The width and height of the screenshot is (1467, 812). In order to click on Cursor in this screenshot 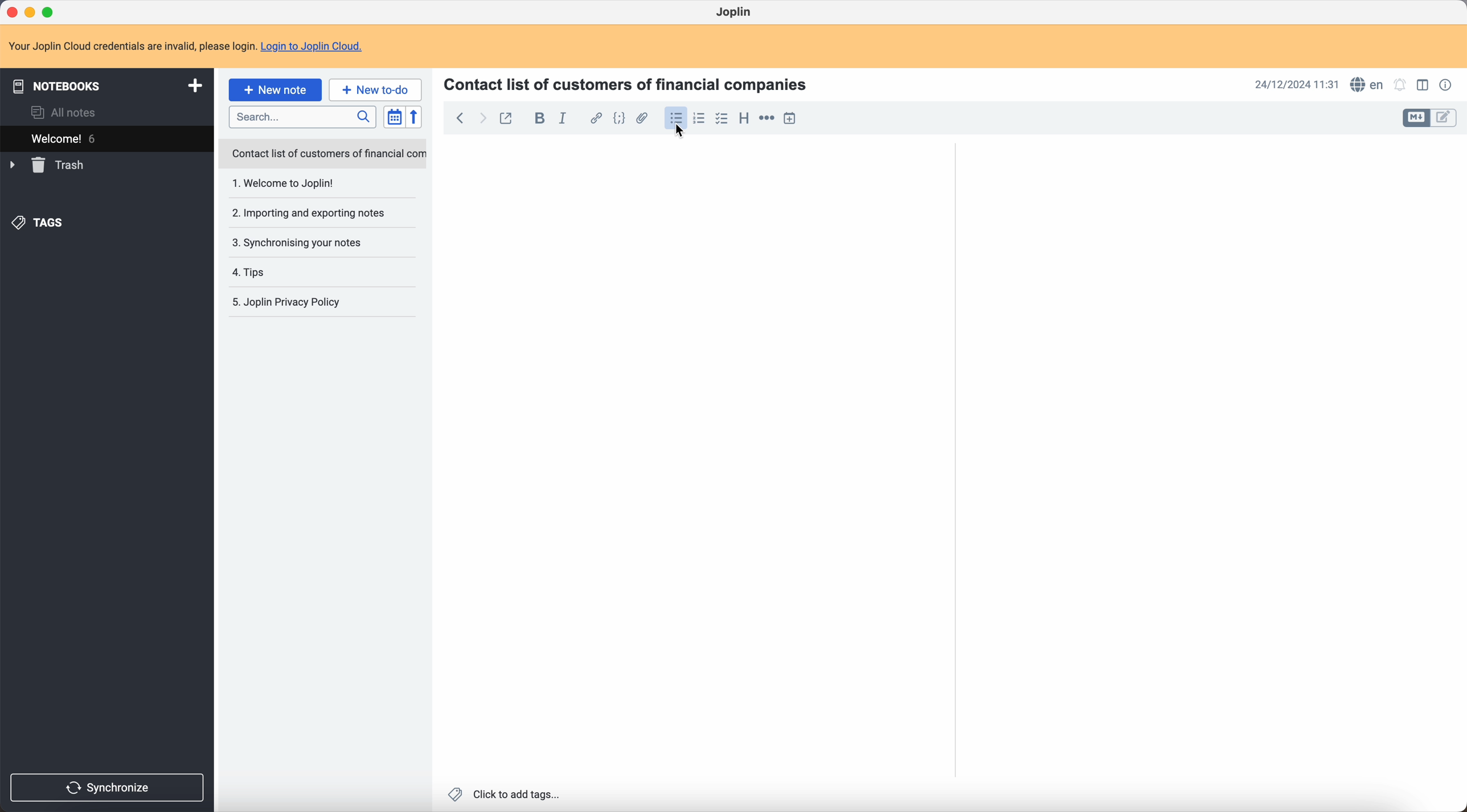, I will do `click(685, 132)`.